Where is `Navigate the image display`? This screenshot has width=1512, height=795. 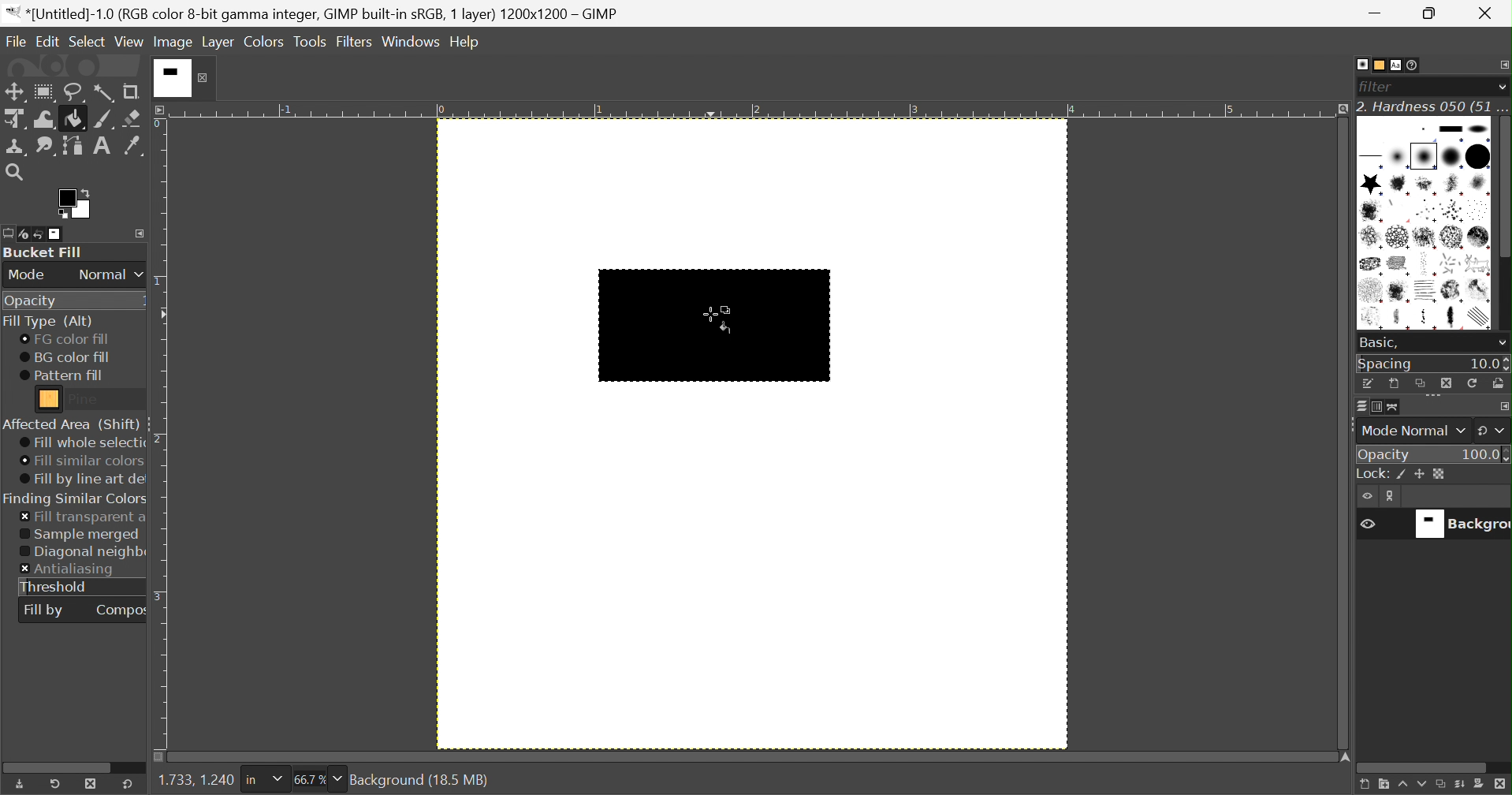
Navigate the image display is located at coordinates (1346, 757).